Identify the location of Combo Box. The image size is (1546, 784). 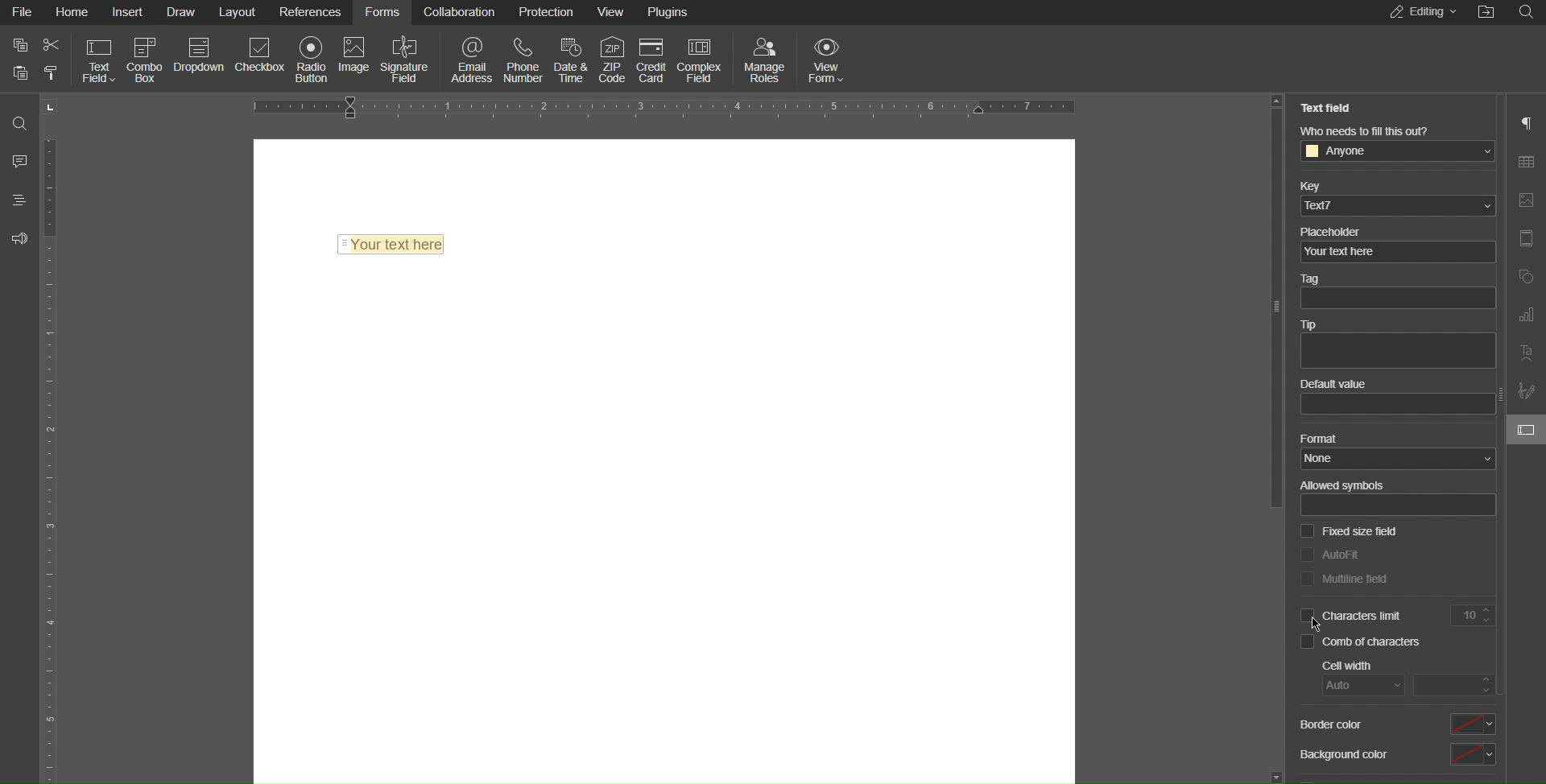
(147, 58).